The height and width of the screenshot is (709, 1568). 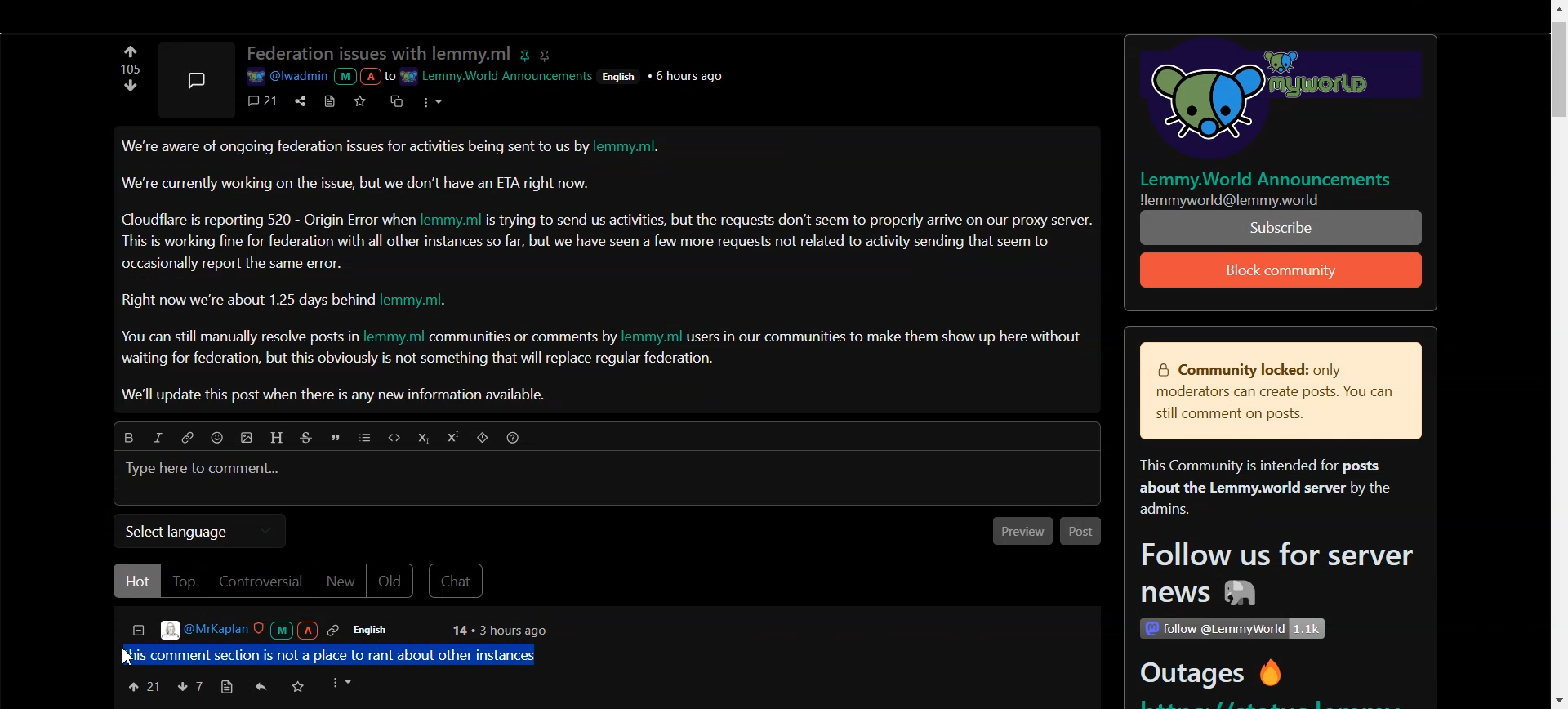 What do you see at coordinates (394, 337) in the screenshot?
I see `lemmy.ml` at bounding box center [394, 337].